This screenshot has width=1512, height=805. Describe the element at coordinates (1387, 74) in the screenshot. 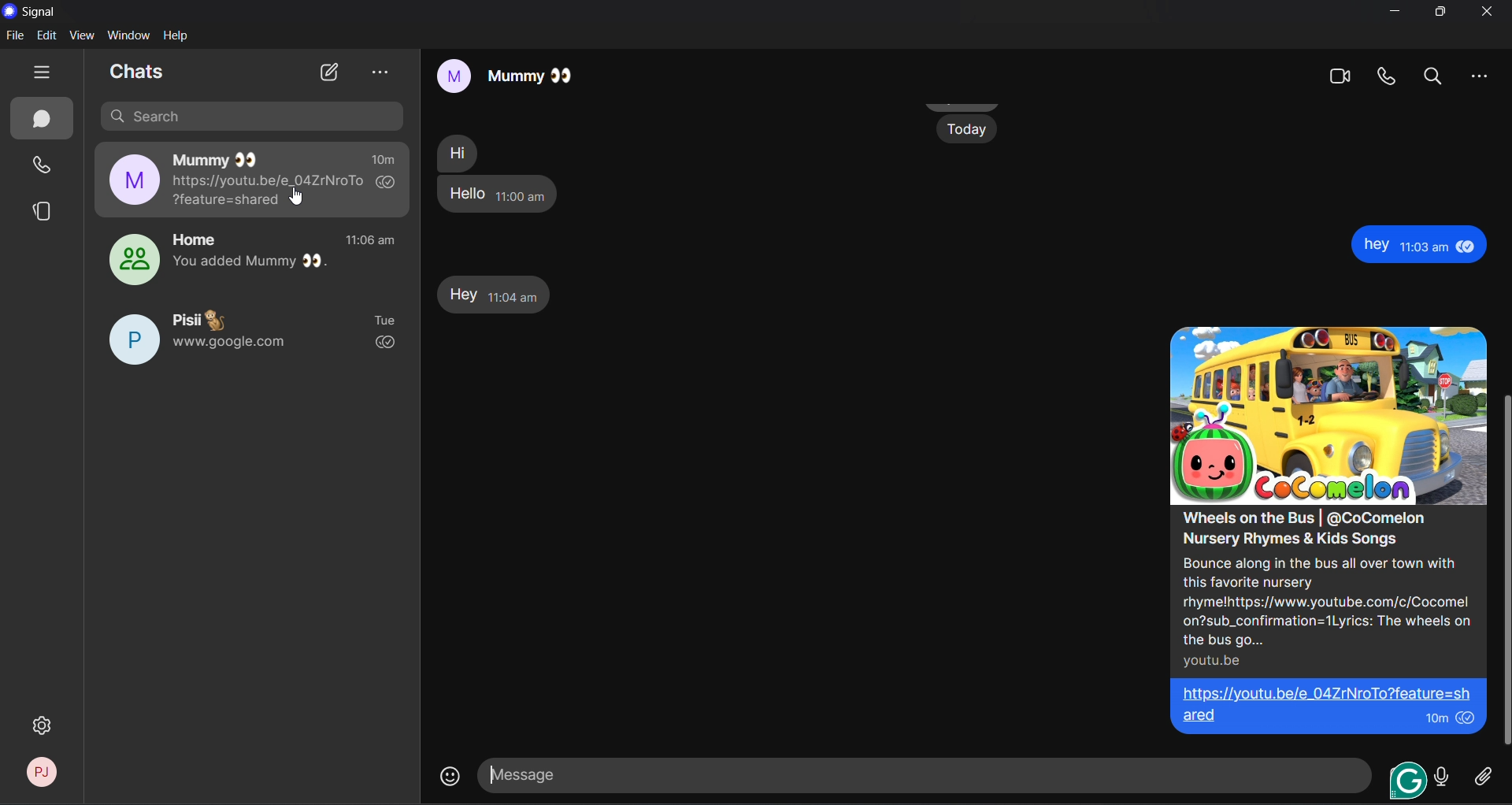

I see `video call` at that location.